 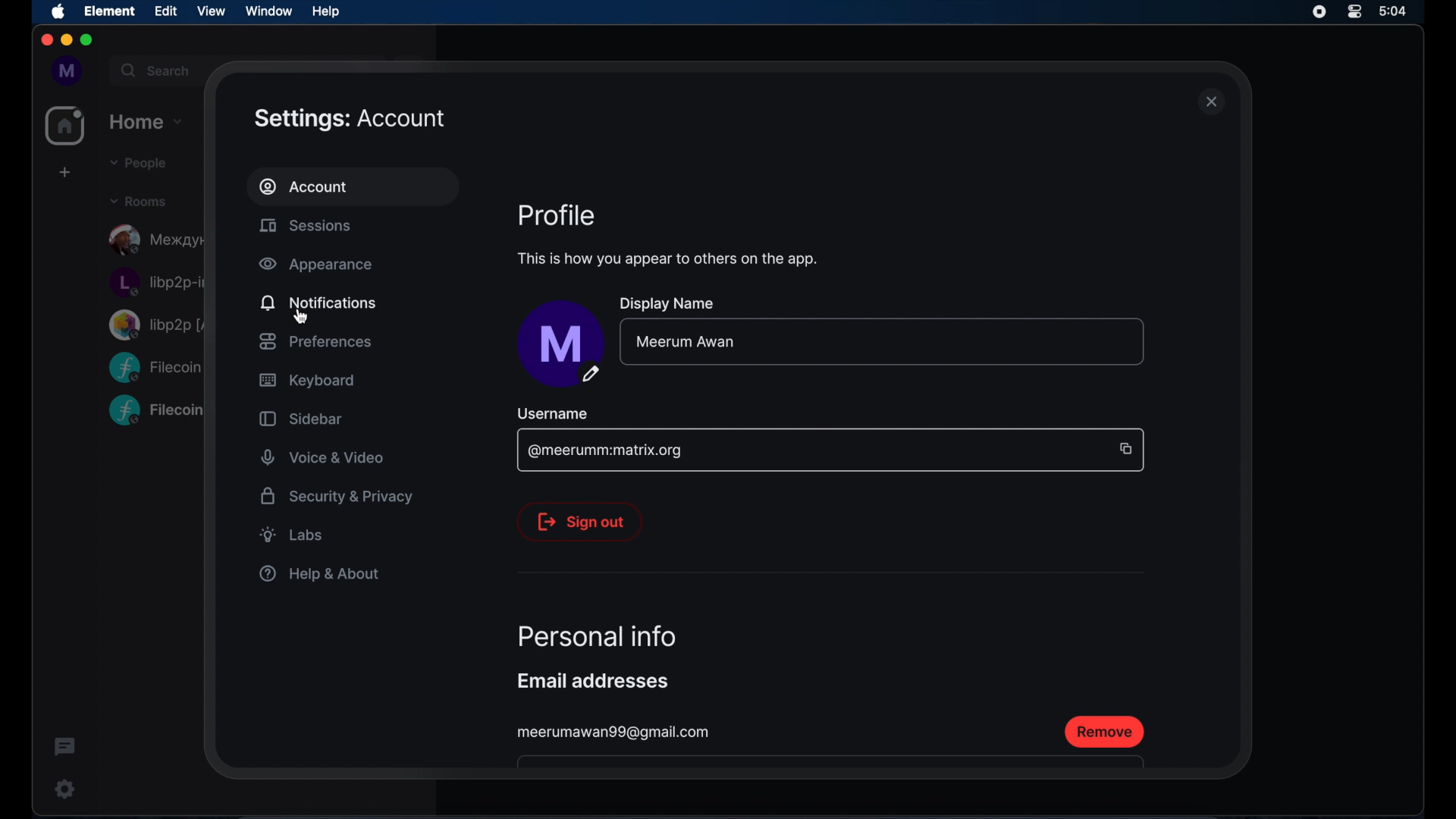 What do you see at coordinates (300, 419) in the screenshot?
I see `sidebar` at bounding box center [300, 419].